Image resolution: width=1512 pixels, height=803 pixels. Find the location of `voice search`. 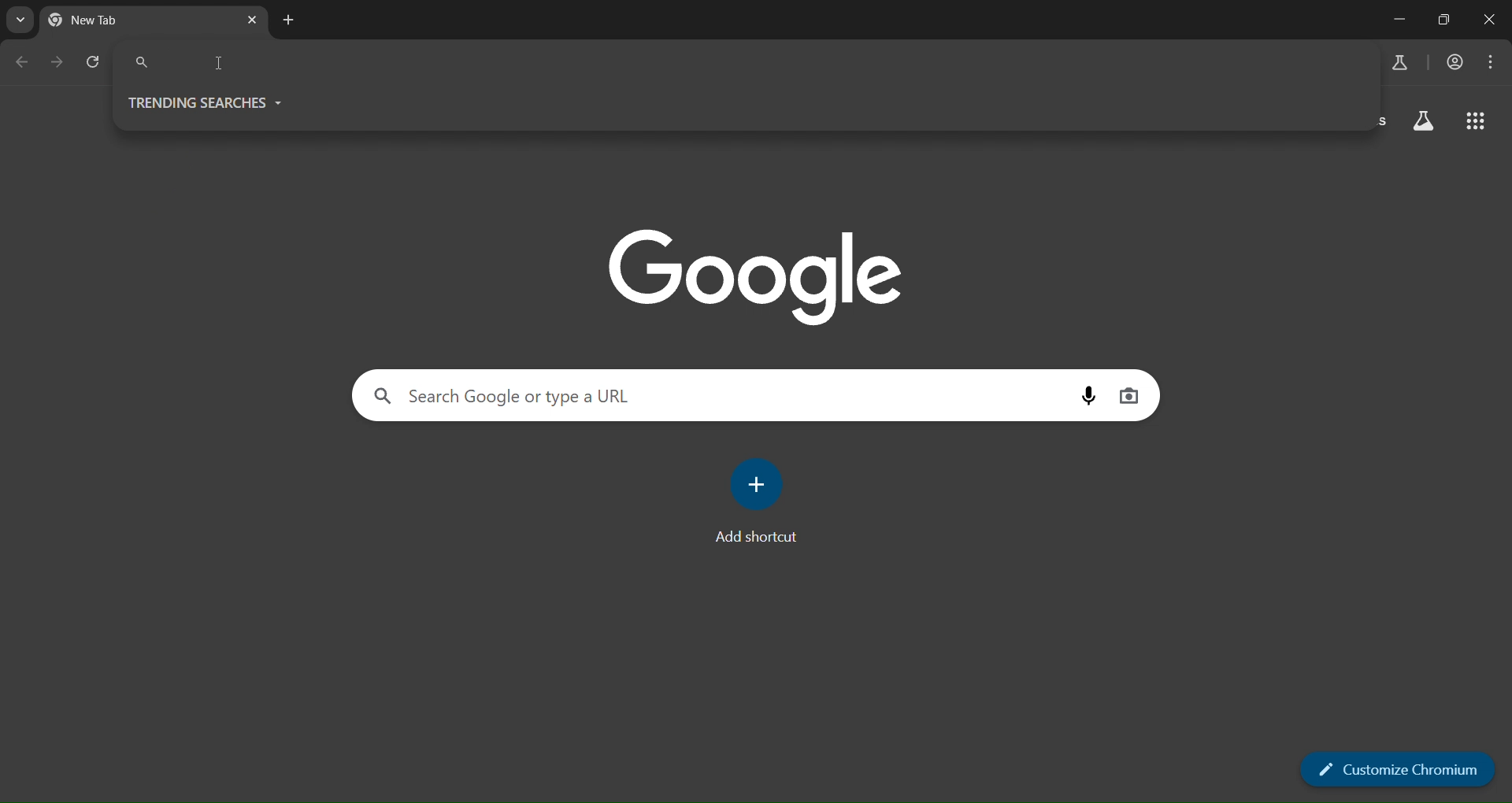

voice search is located at coordinates (1131, 397).